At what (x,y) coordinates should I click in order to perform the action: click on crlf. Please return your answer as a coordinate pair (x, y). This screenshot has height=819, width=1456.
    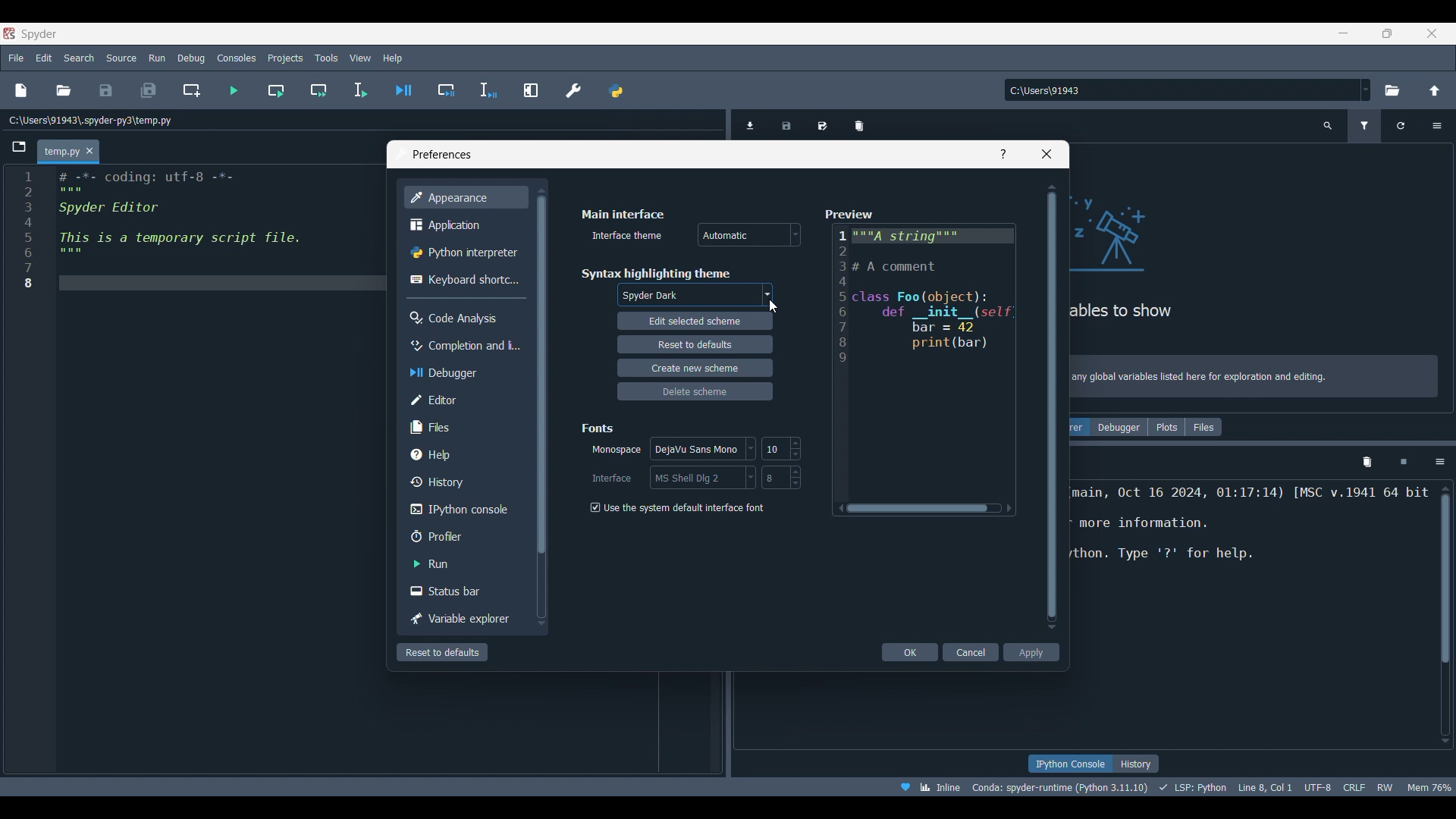
    Looking at the image, I should click on (1352, 787).